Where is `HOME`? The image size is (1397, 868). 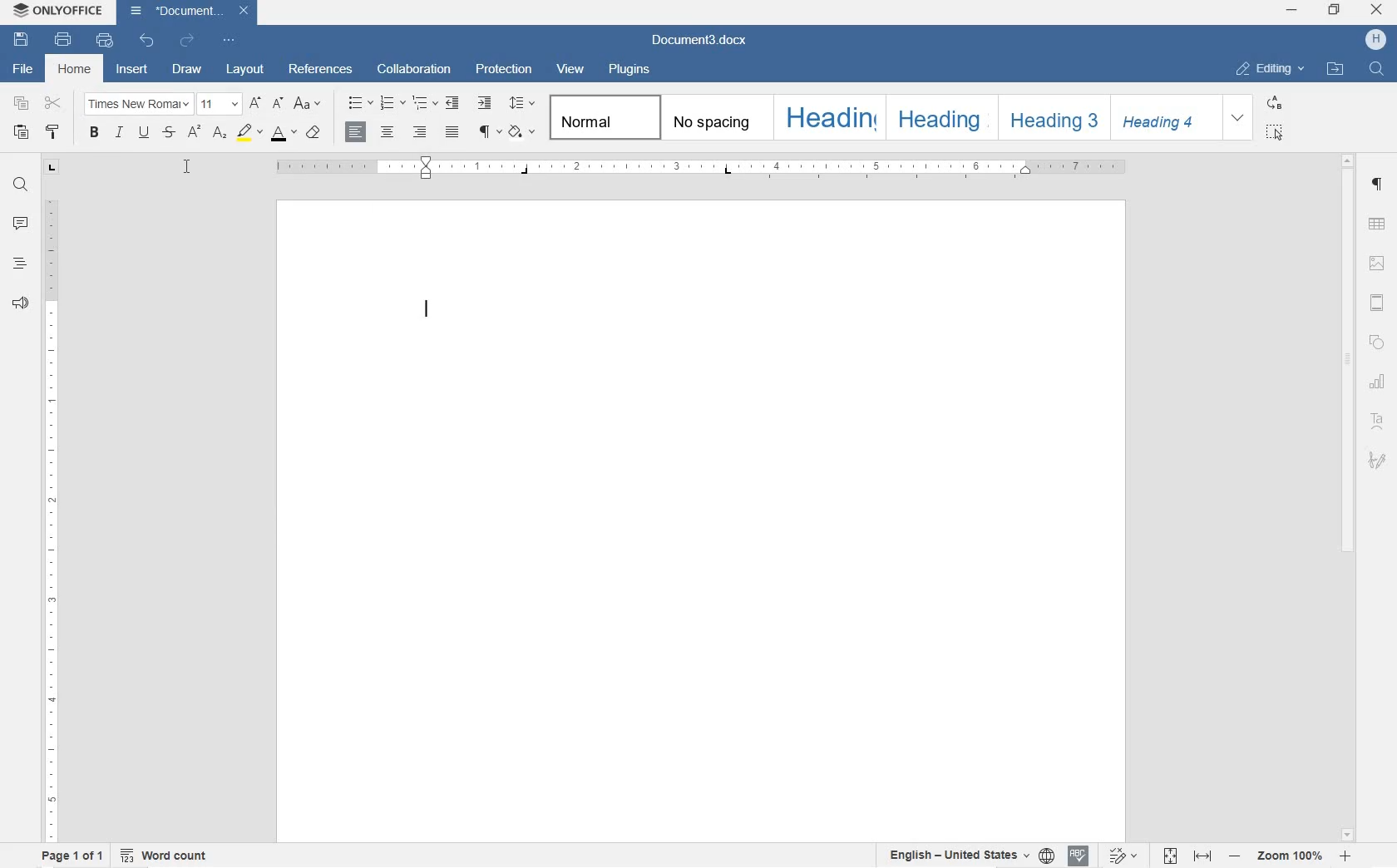
HOME is located at coordinates (74, 69).